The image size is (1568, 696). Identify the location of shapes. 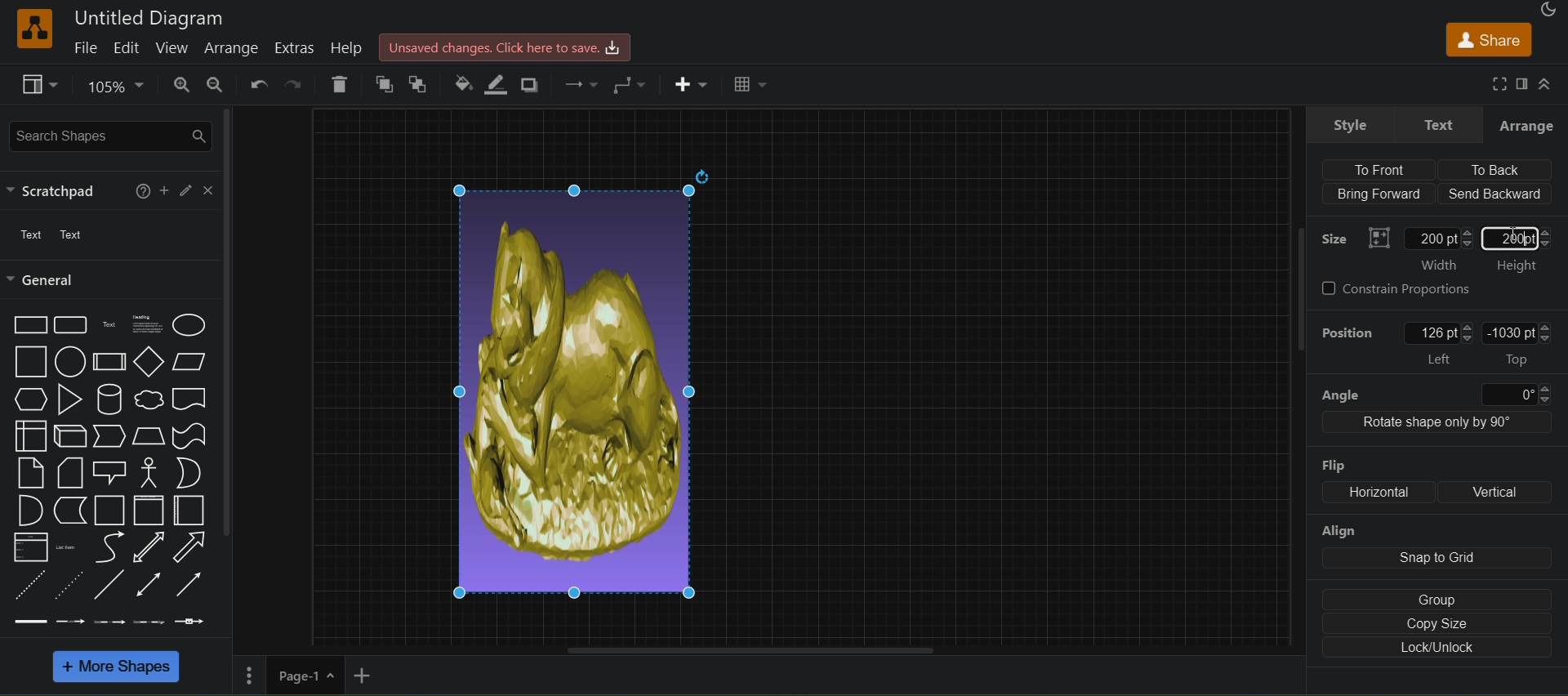
(118, 471).